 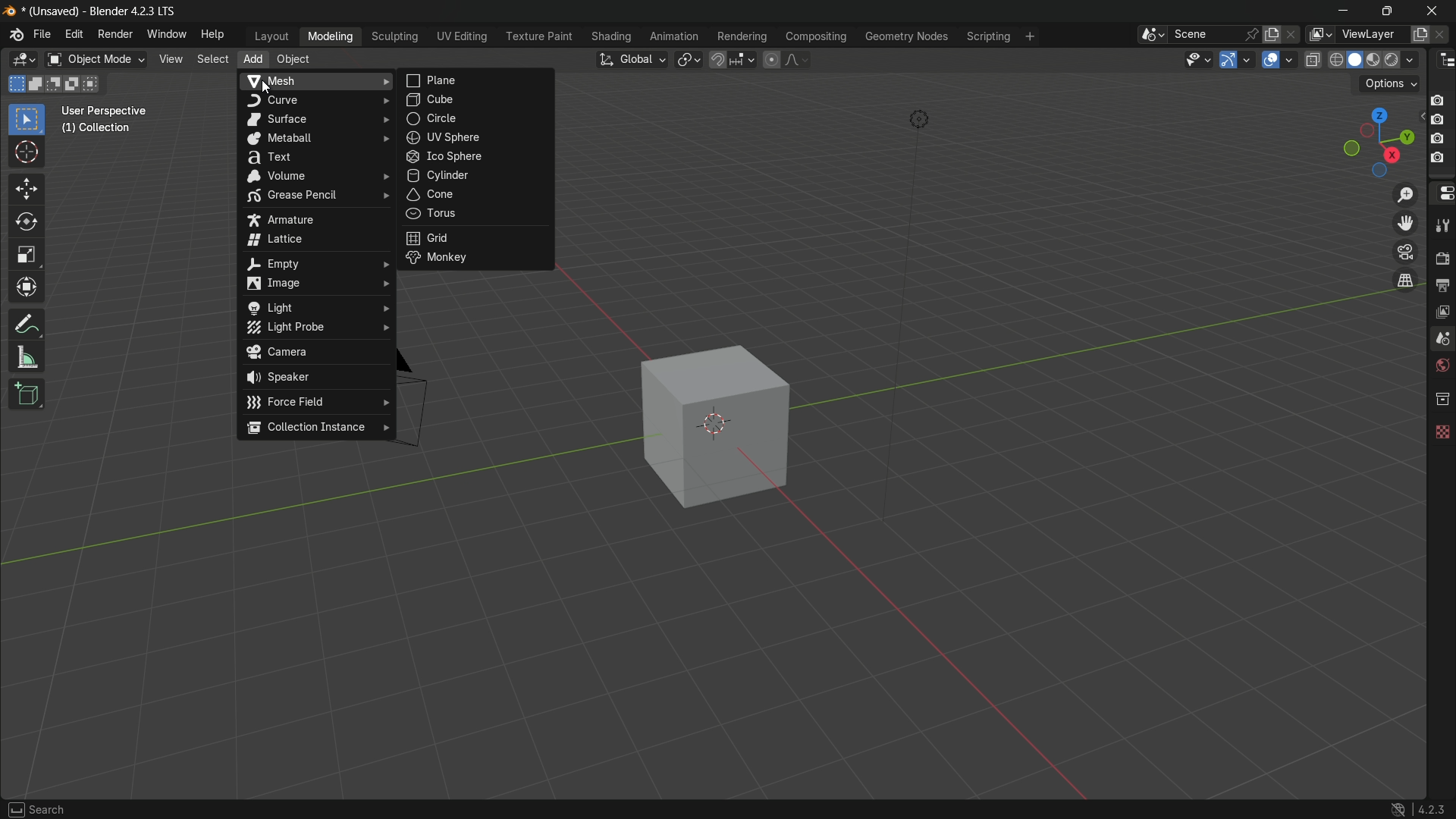 What do you see at coordinates (1404, 224) in the screenshot?
I see `move the view` at bounding box center [1404, 224].